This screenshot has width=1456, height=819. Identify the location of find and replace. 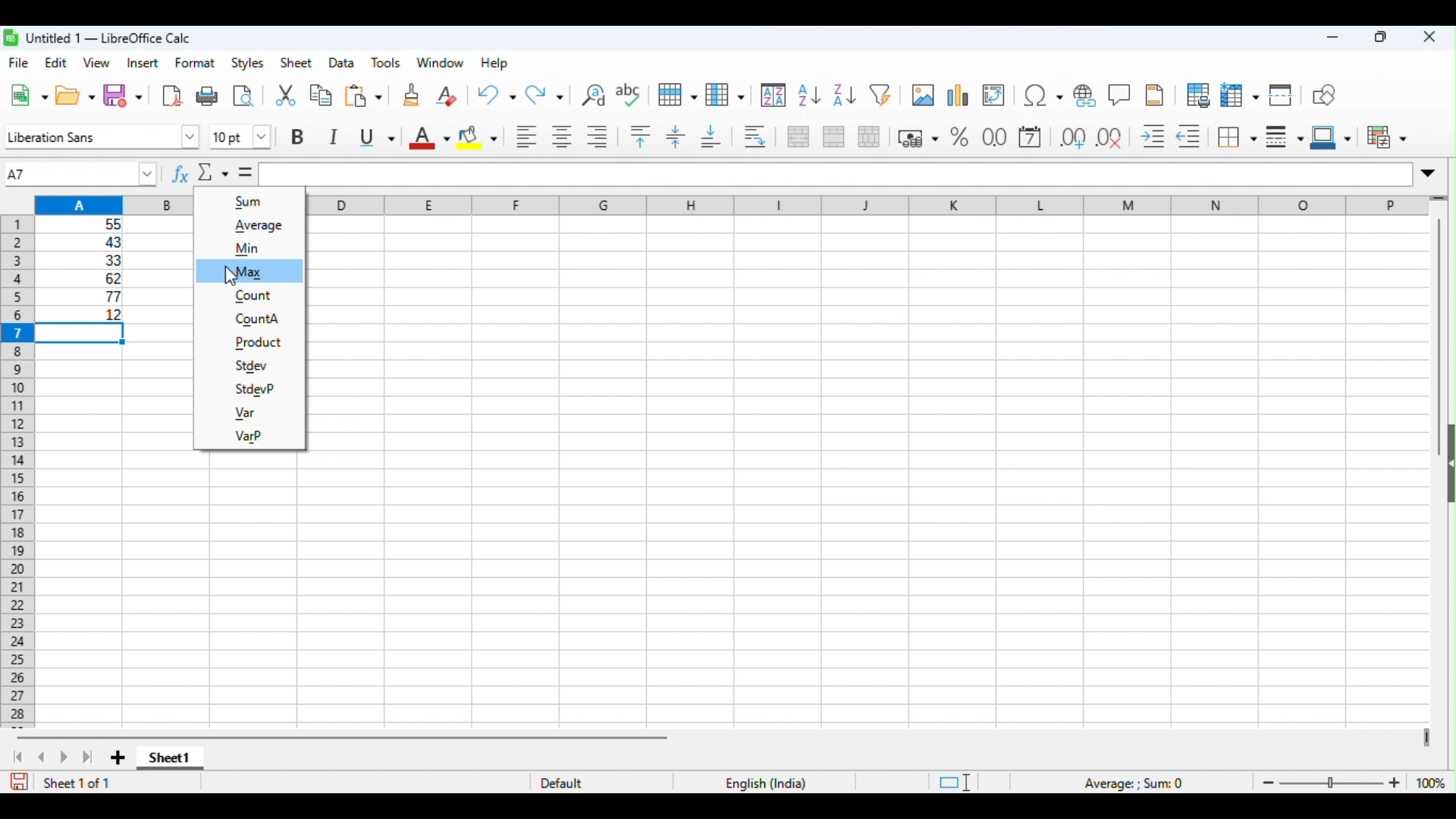
(592, 94).